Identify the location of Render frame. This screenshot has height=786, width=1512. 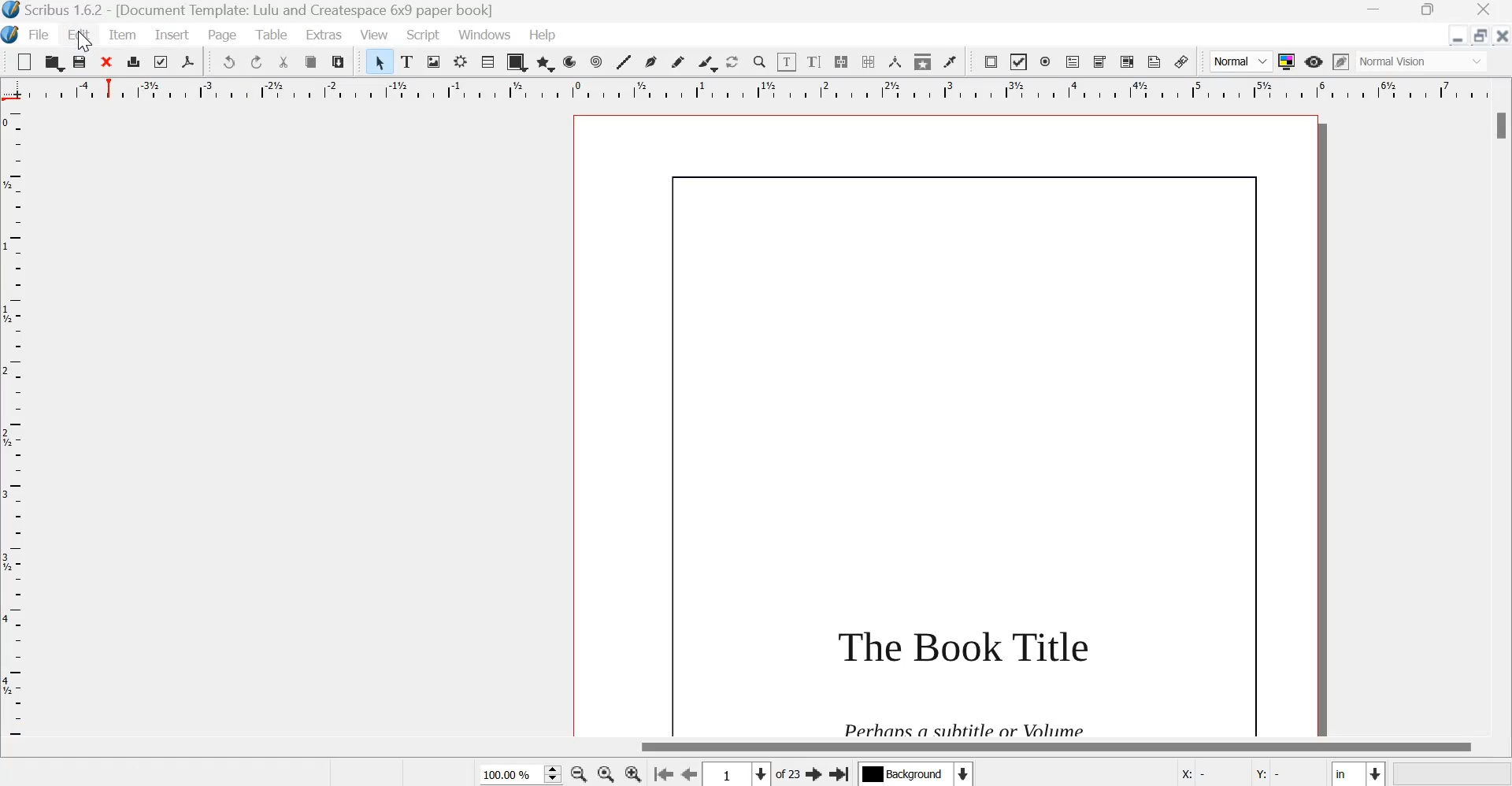
(460, 62).